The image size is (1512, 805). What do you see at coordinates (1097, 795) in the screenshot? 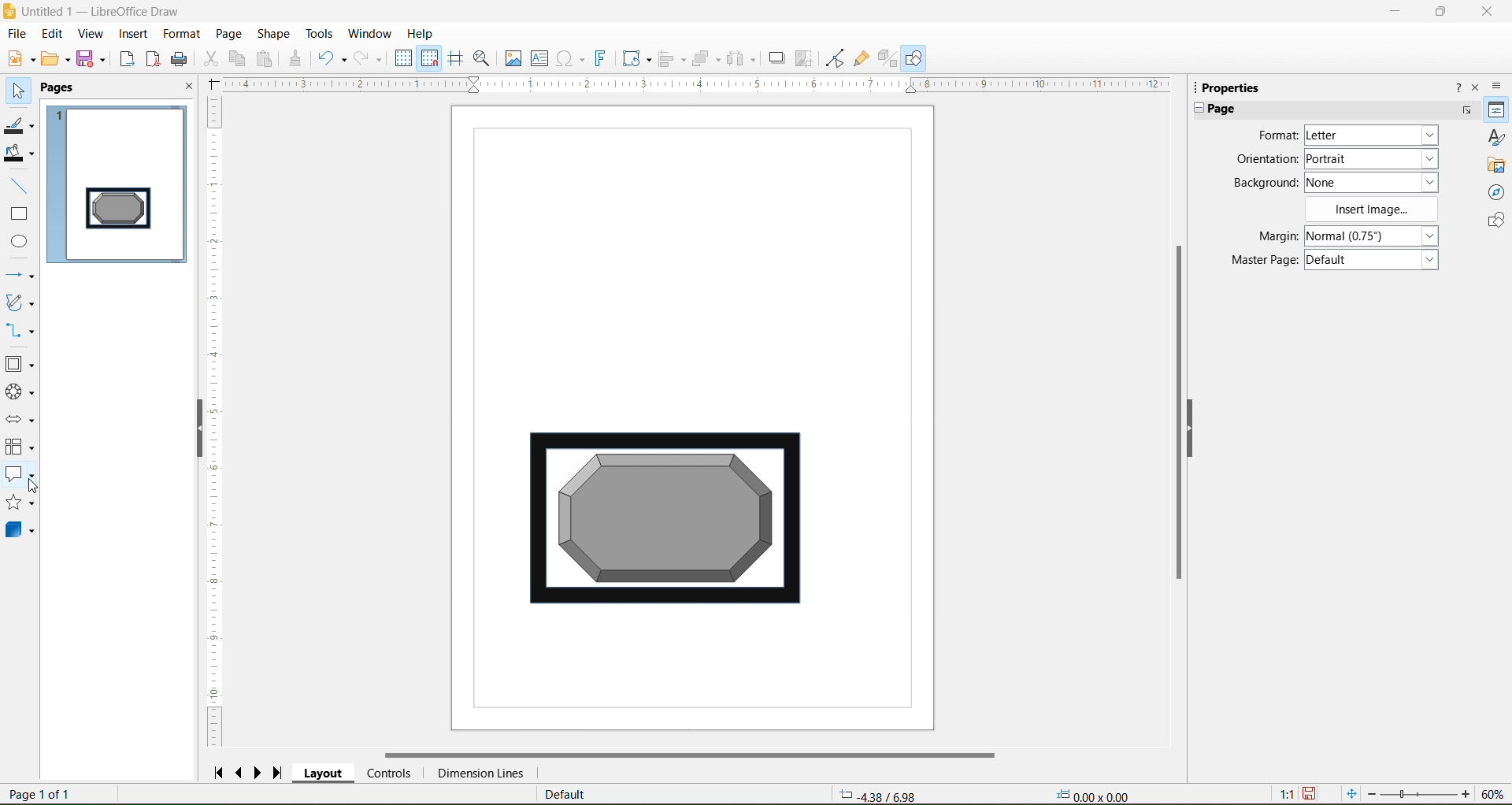
I see `0.00x0.00` at bounding box center [1097, 795].